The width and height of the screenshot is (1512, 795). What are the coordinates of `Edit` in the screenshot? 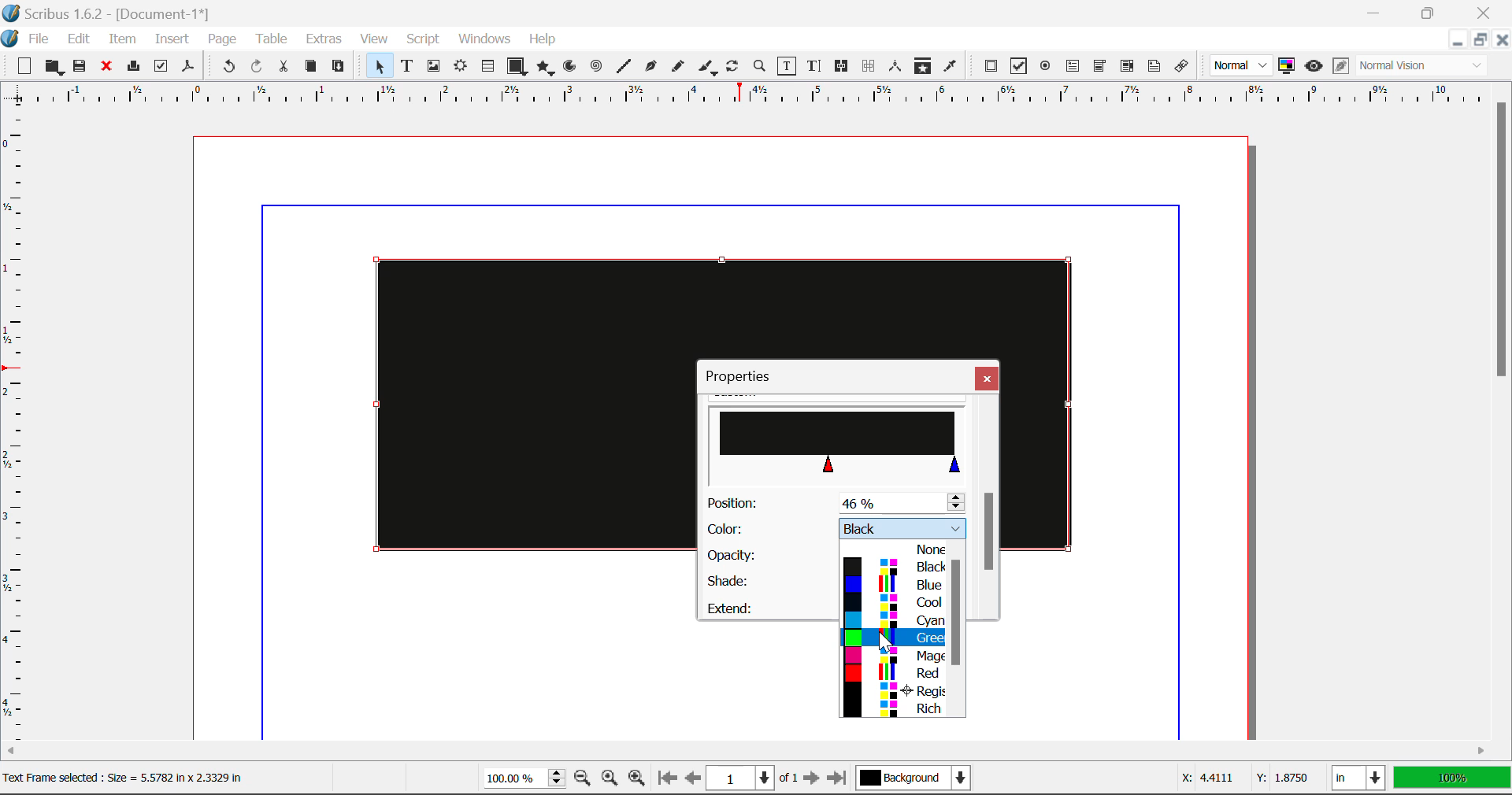 It's located at (79, 39).